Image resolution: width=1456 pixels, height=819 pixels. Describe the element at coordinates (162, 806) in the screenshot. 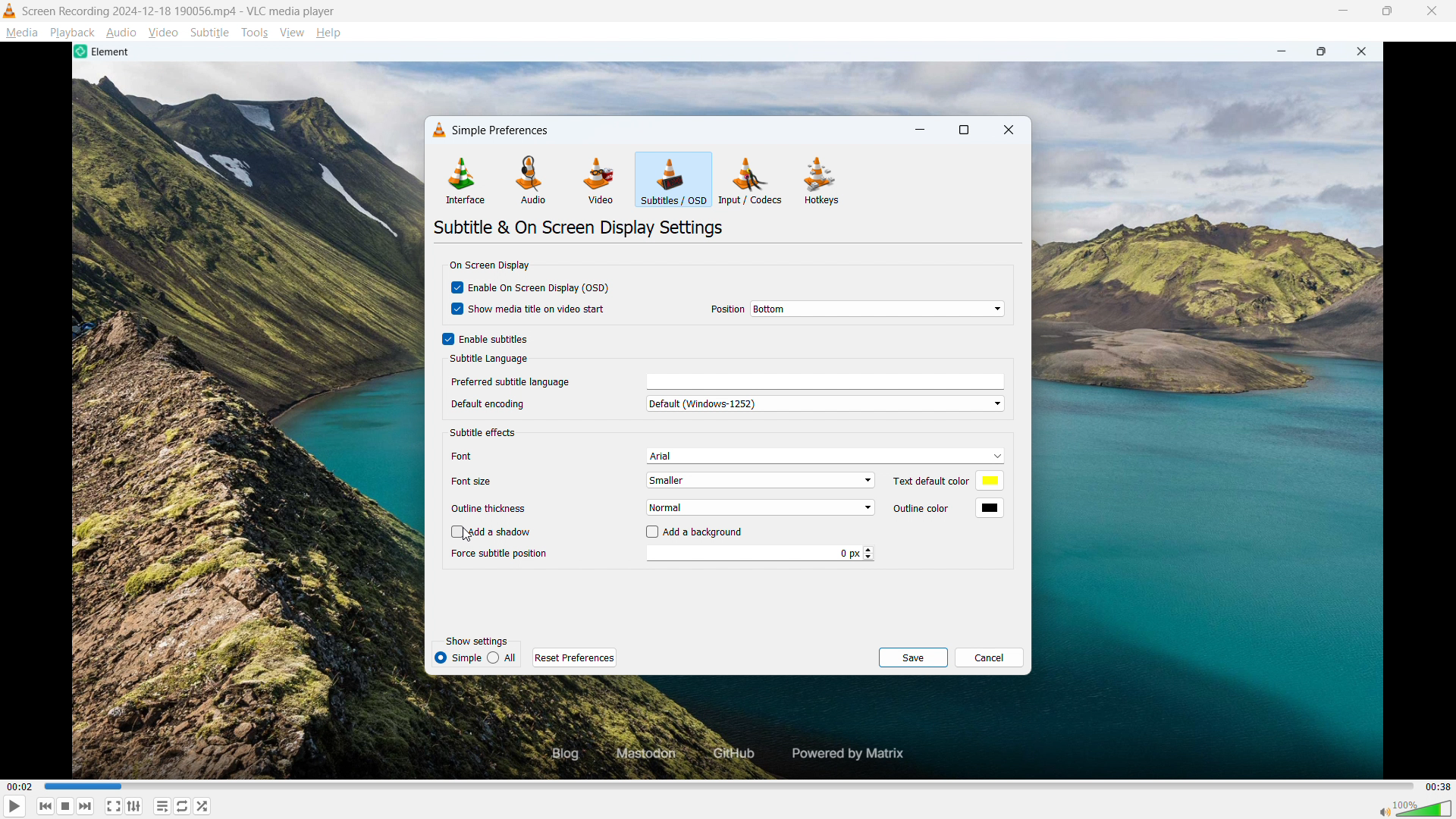

I see `Toggle playlist ` at that location.